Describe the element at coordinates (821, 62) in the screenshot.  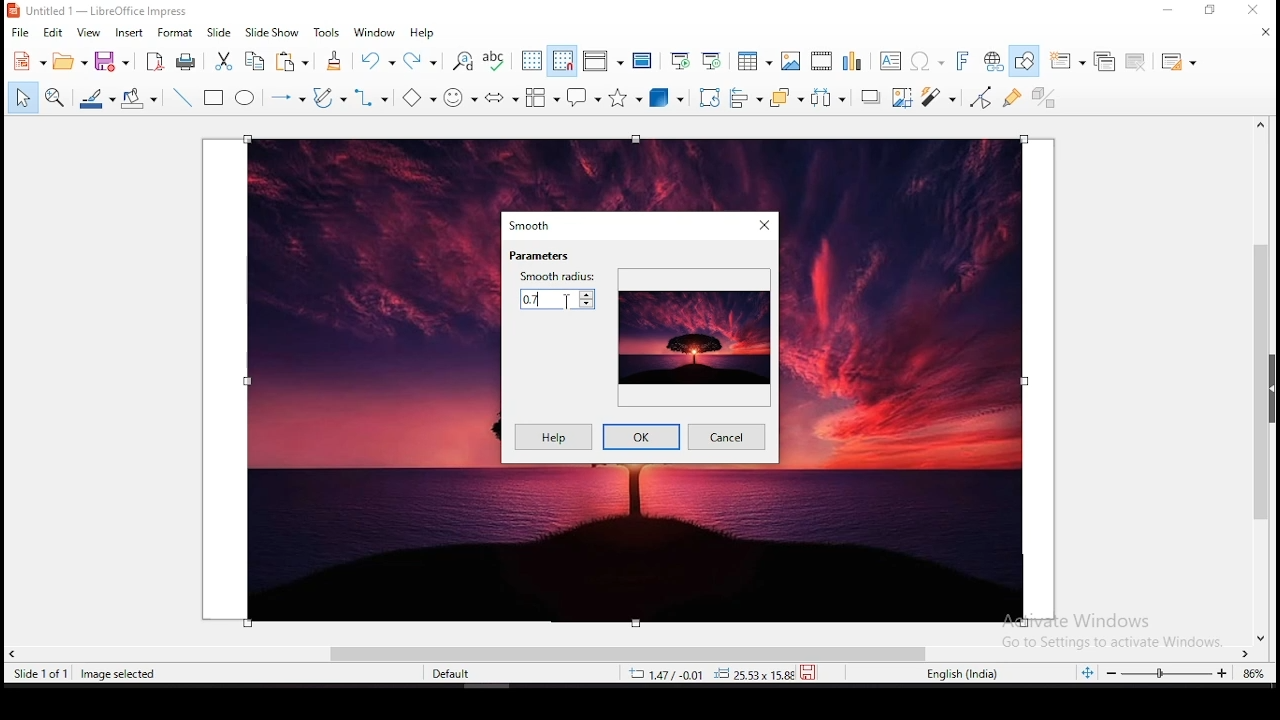
I see `insert video` at that location.